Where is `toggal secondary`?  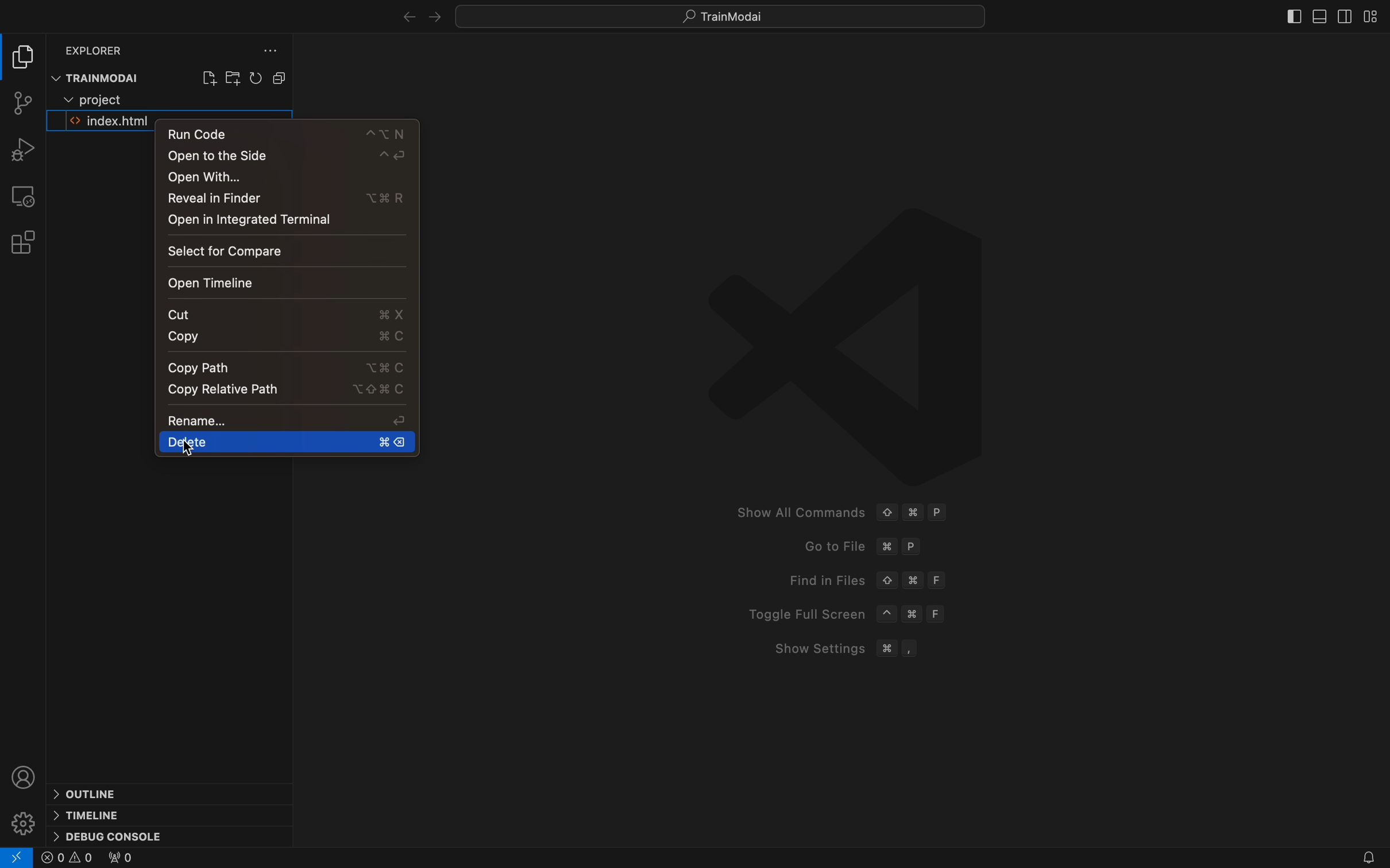
toggal secondary is located at coordinates (1346, 17).